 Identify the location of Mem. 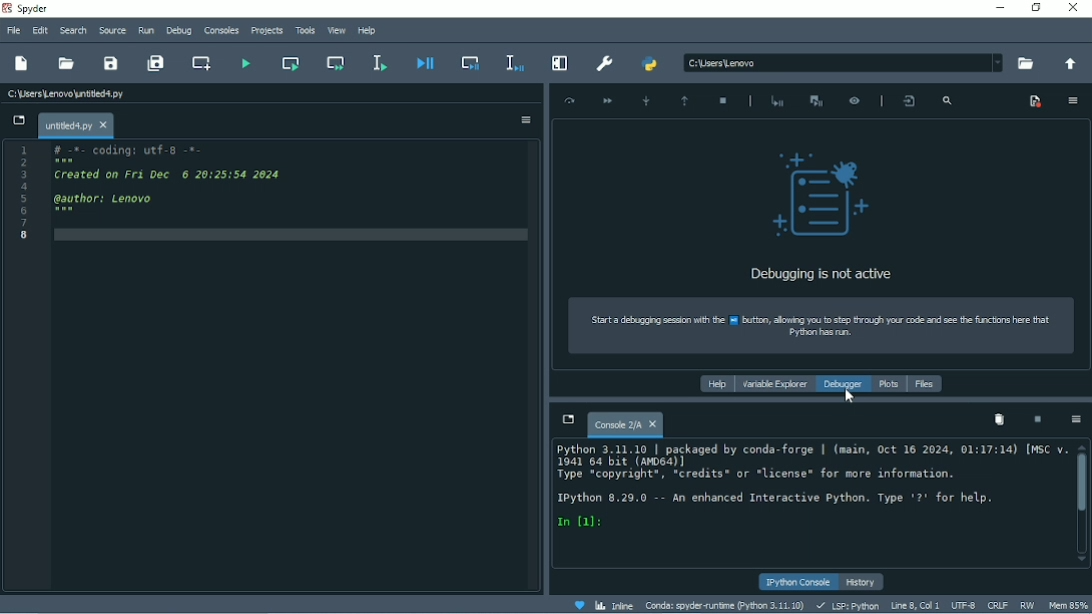
(1067, 603).